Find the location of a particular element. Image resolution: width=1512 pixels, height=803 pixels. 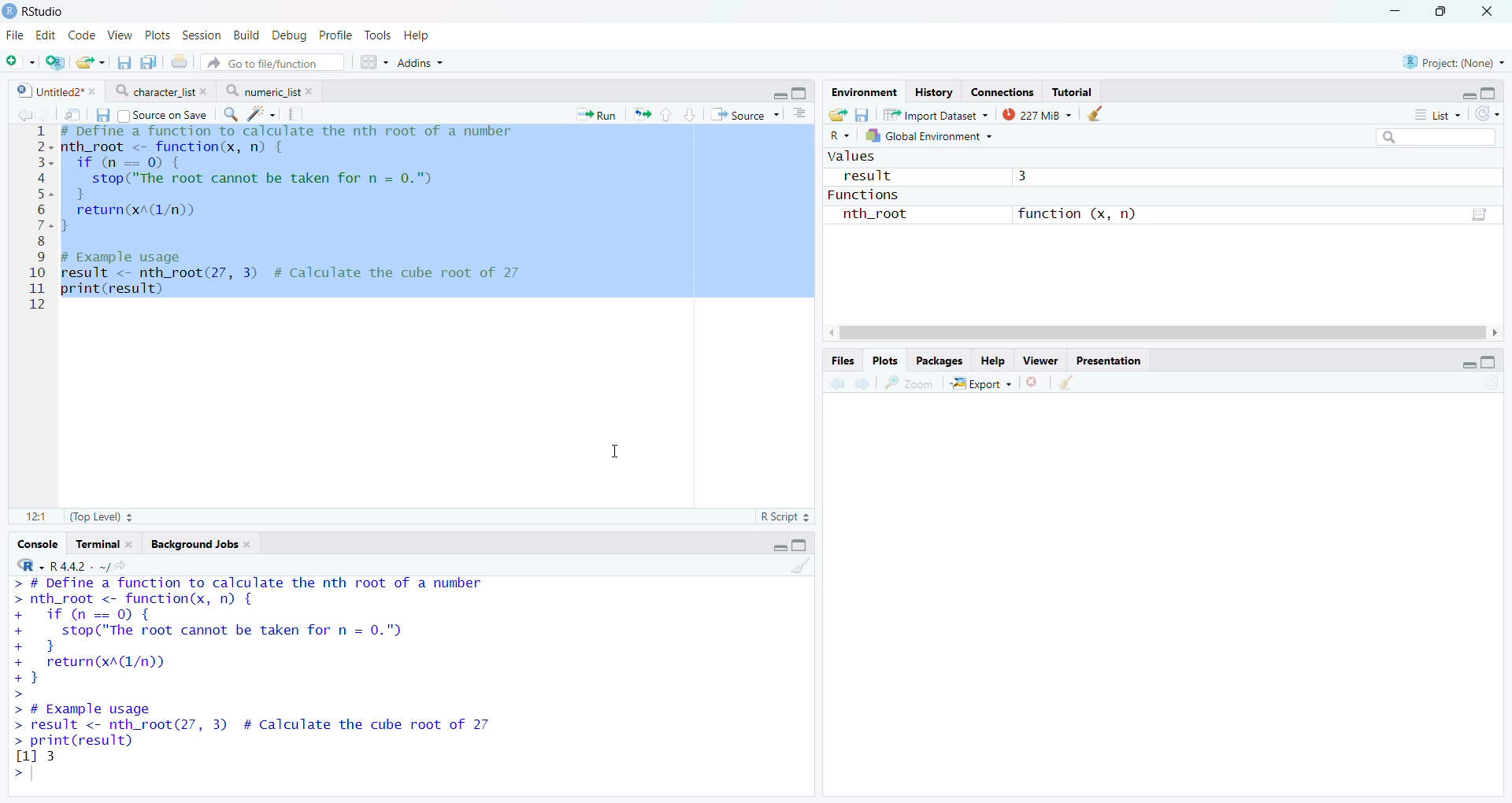

Edit is located at coordinates (47, 34).